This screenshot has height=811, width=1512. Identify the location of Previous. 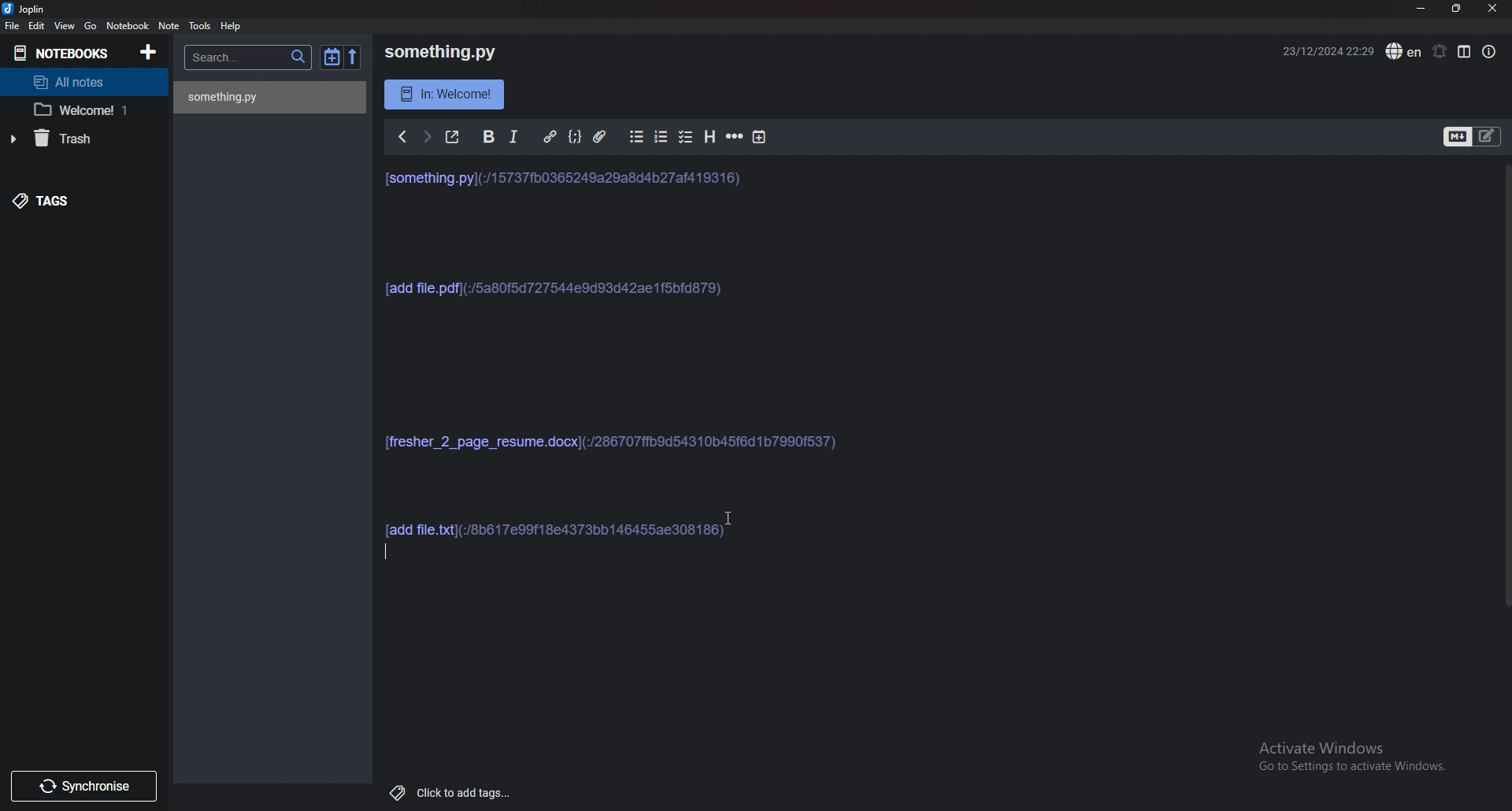
(402, 136).